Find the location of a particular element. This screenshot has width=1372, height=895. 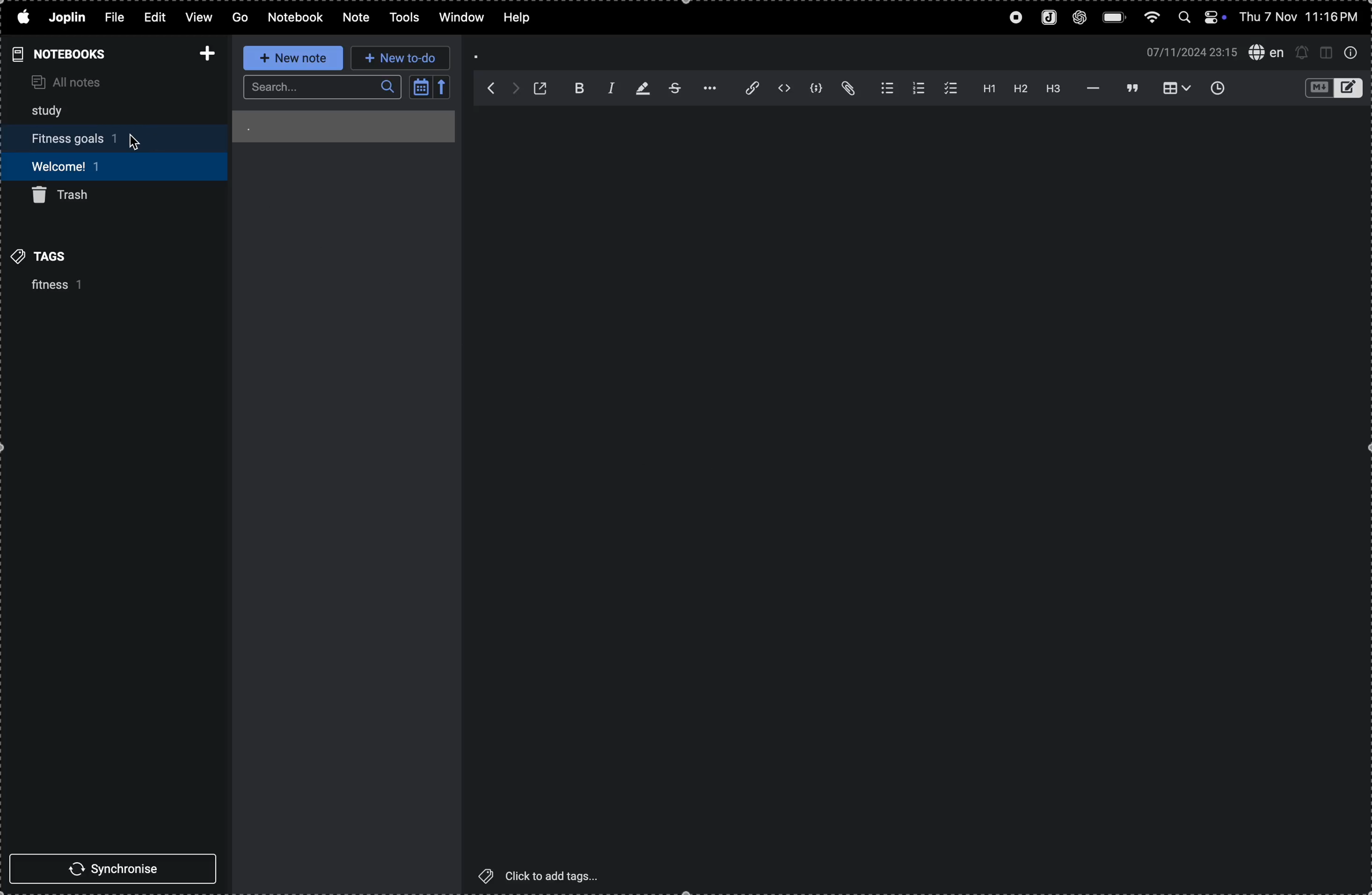

. is located at coordinates (478, 52).